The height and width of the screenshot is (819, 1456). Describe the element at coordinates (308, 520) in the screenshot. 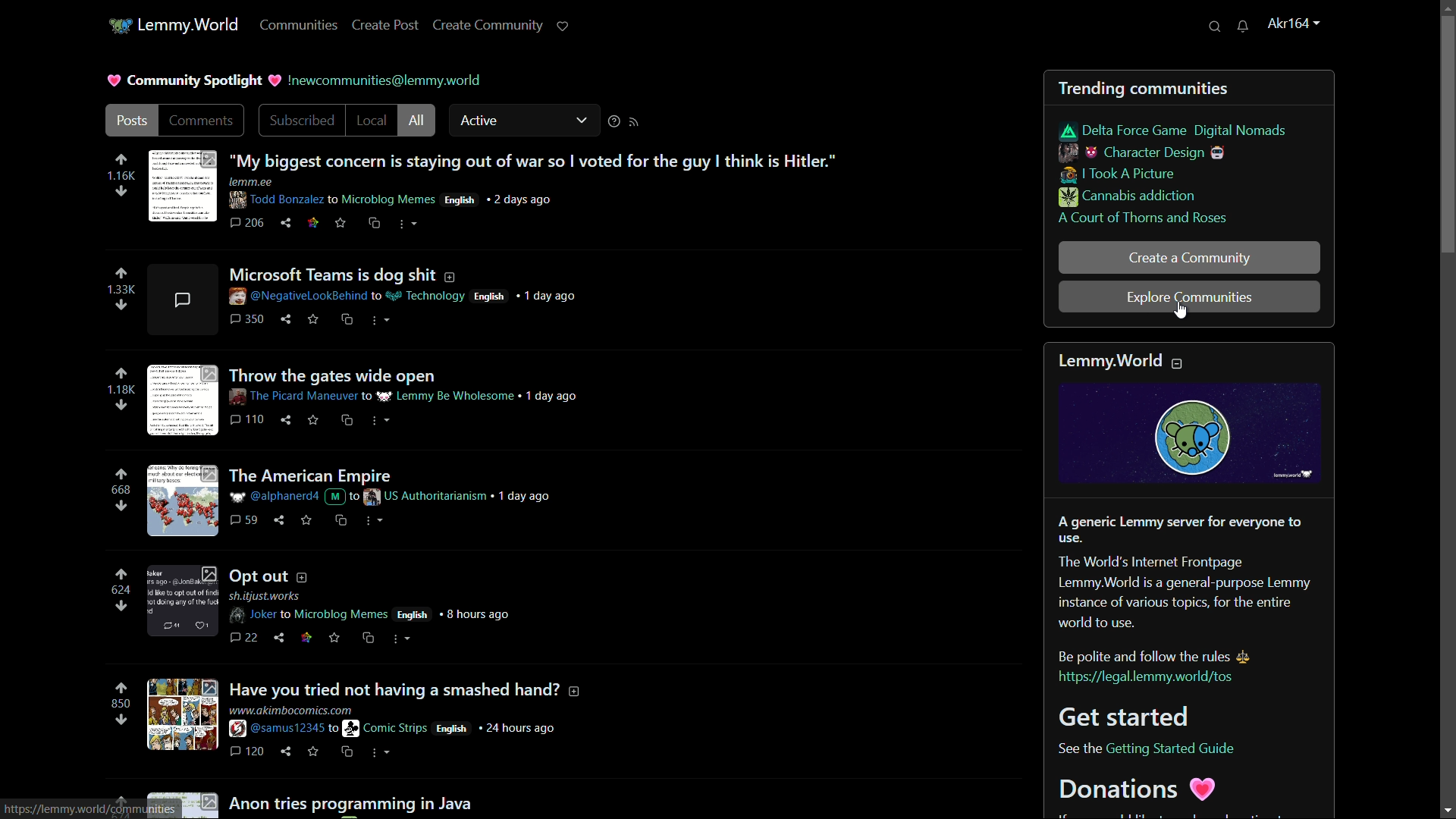

I see `save` at that location.